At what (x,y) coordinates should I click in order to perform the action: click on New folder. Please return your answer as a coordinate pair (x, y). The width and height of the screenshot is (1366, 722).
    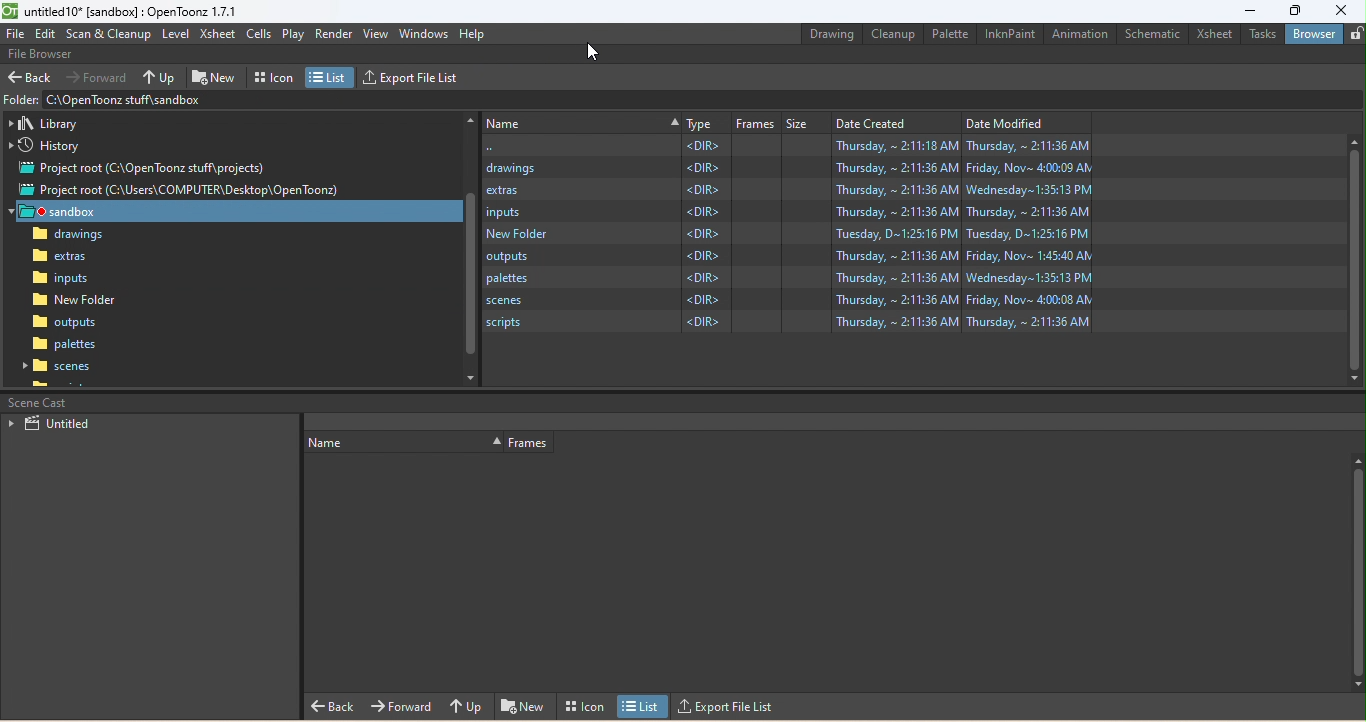
    Looking at the image, I should click on (216, 76).